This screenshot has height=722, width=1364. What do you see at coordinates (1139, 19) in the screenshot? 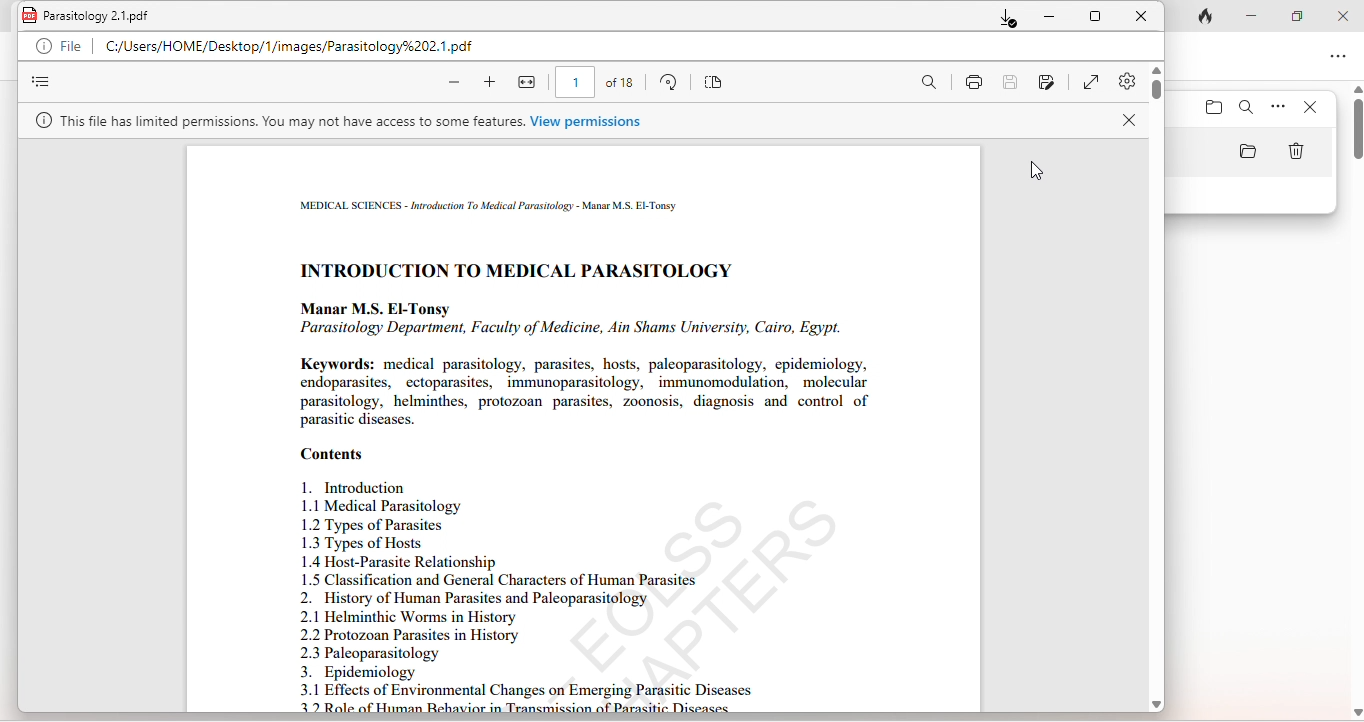
I see `close` at bounding box center [1139, 19].